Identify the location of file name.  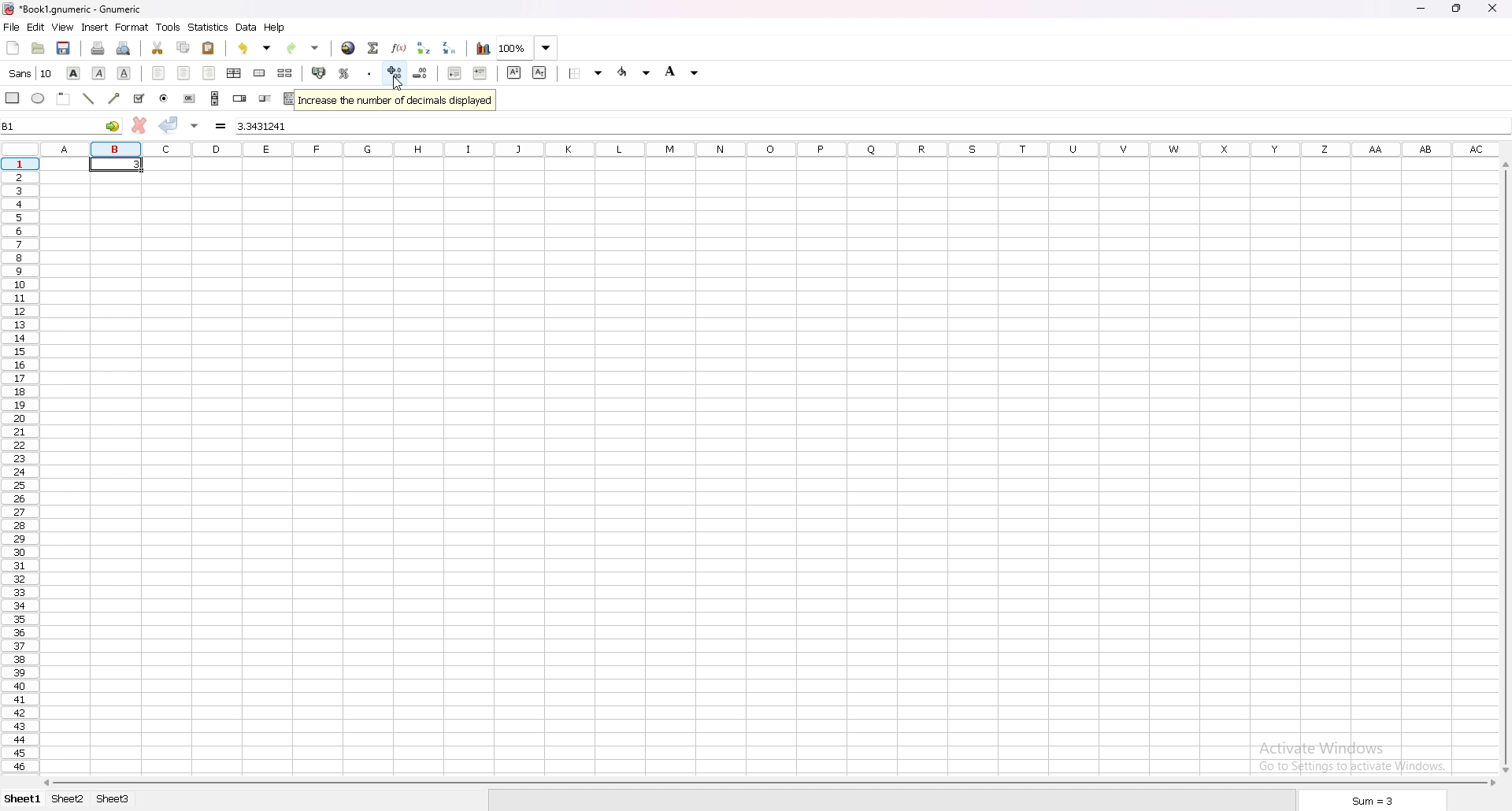
(71, 9).